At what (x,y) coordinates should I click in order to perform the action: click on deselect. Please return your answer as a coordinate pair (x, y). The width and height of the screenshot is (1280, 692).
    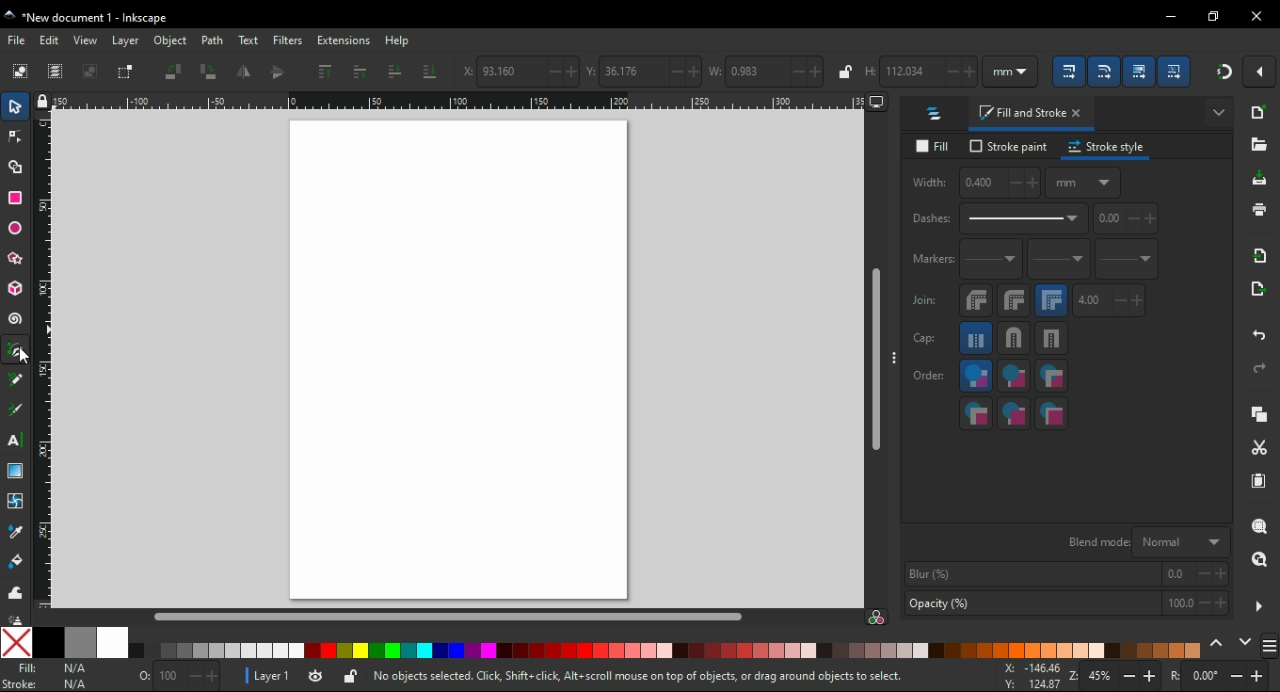
    Looking at the image, I should click on (91, 70).